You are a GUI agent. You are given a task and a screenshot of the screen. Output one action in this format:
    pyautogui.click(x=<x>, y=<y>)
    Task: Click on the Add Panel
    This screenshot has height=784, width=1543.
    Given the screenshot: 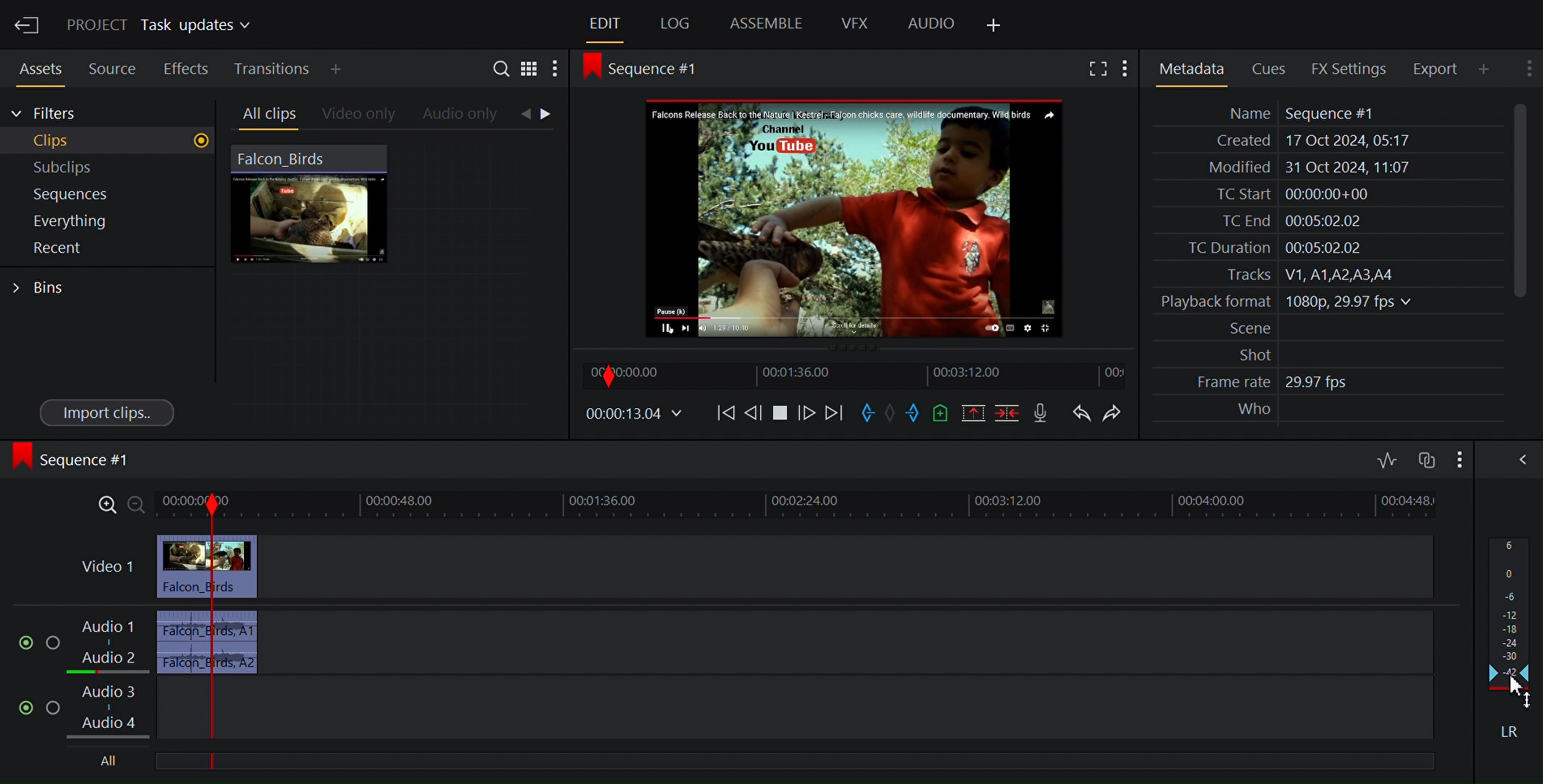 What is the action you would take?
    pyautogui.click(x=998, y=23)
    